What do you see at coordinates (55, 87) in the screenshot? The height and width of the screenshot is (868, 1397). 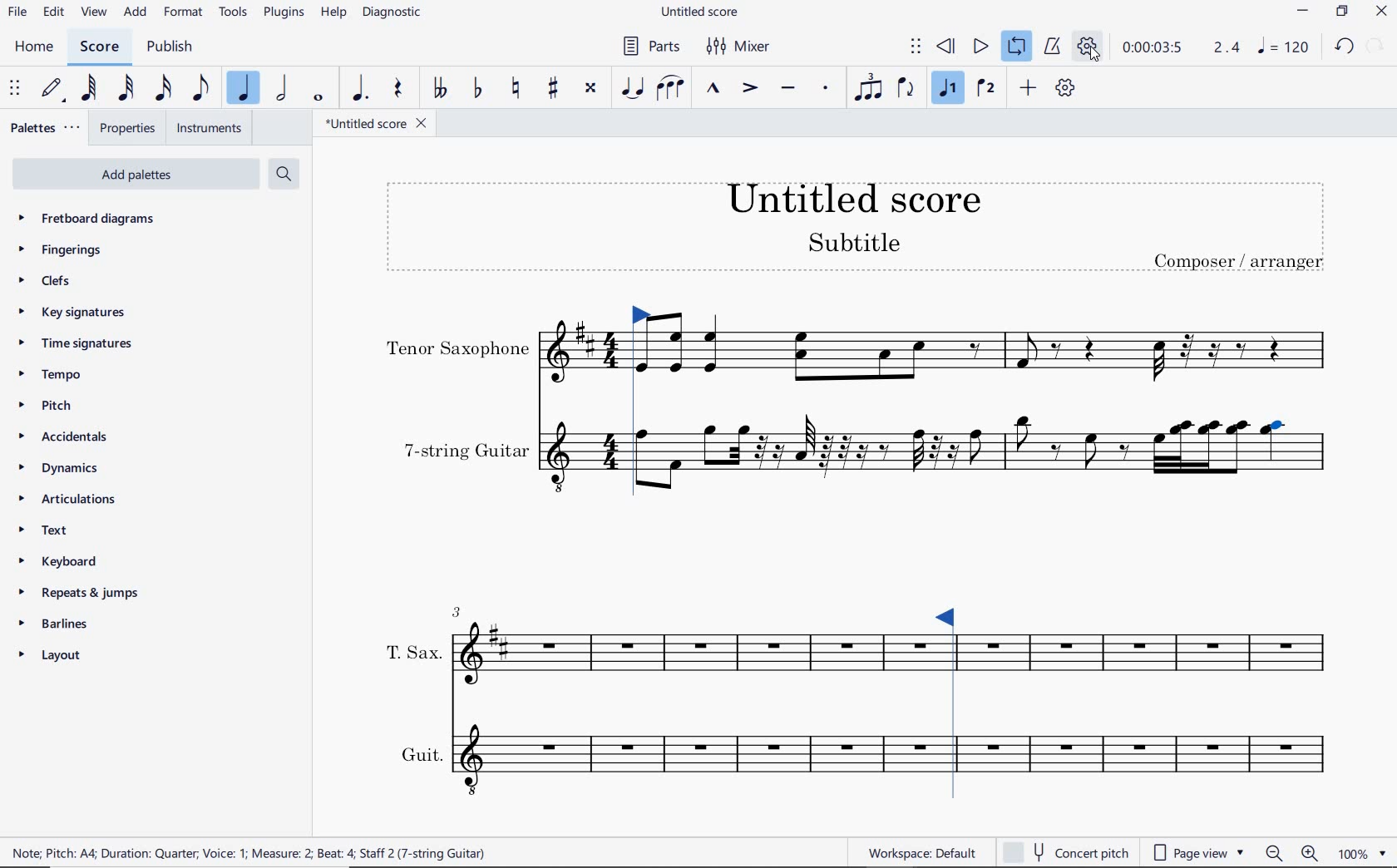 I see `DEFAULT (STEP TIME)` at bounding box center [55, 87].